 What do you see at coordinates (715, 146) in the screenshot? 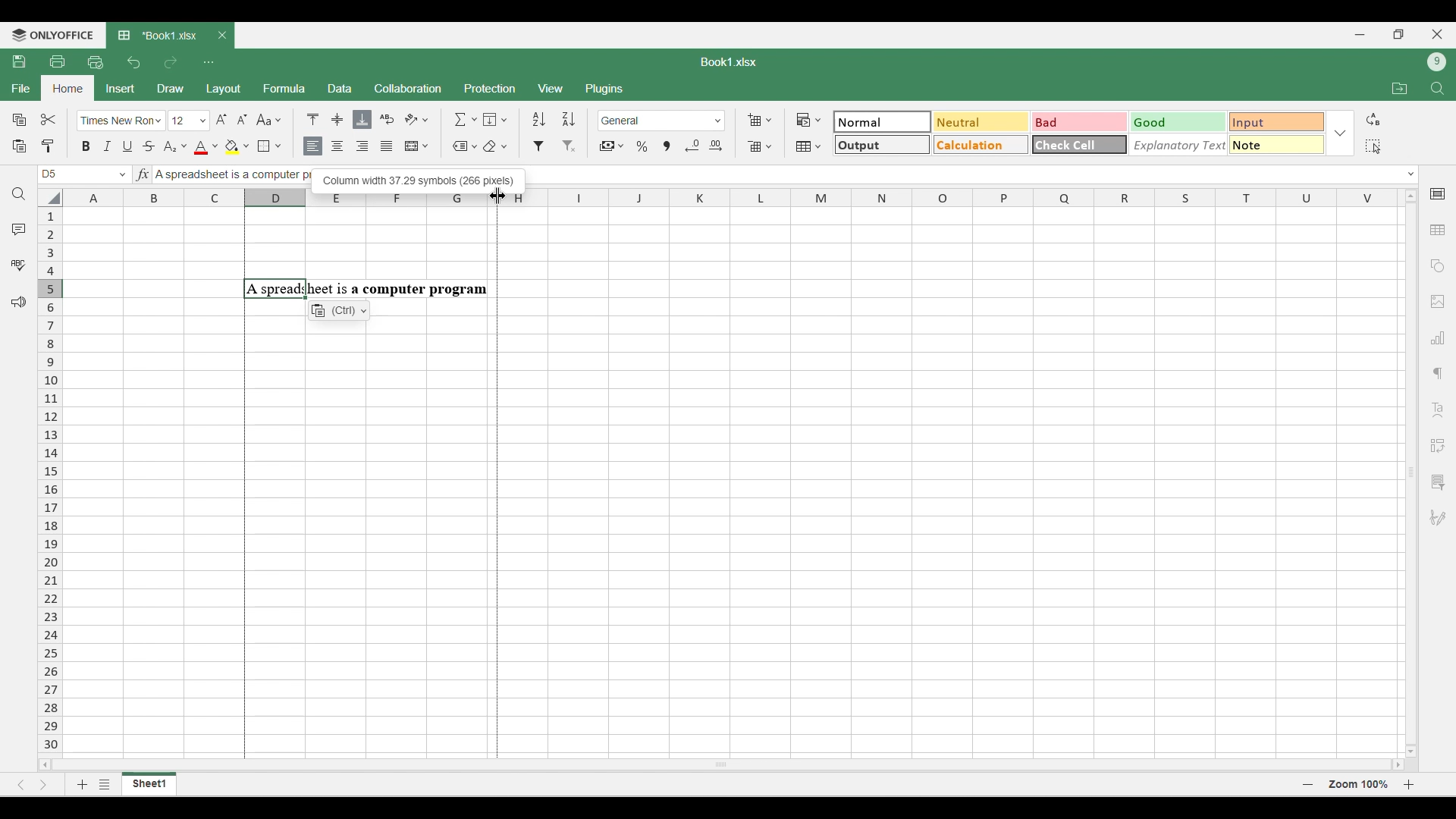
I see `Increase decimal` at bounding box center [715, 146].